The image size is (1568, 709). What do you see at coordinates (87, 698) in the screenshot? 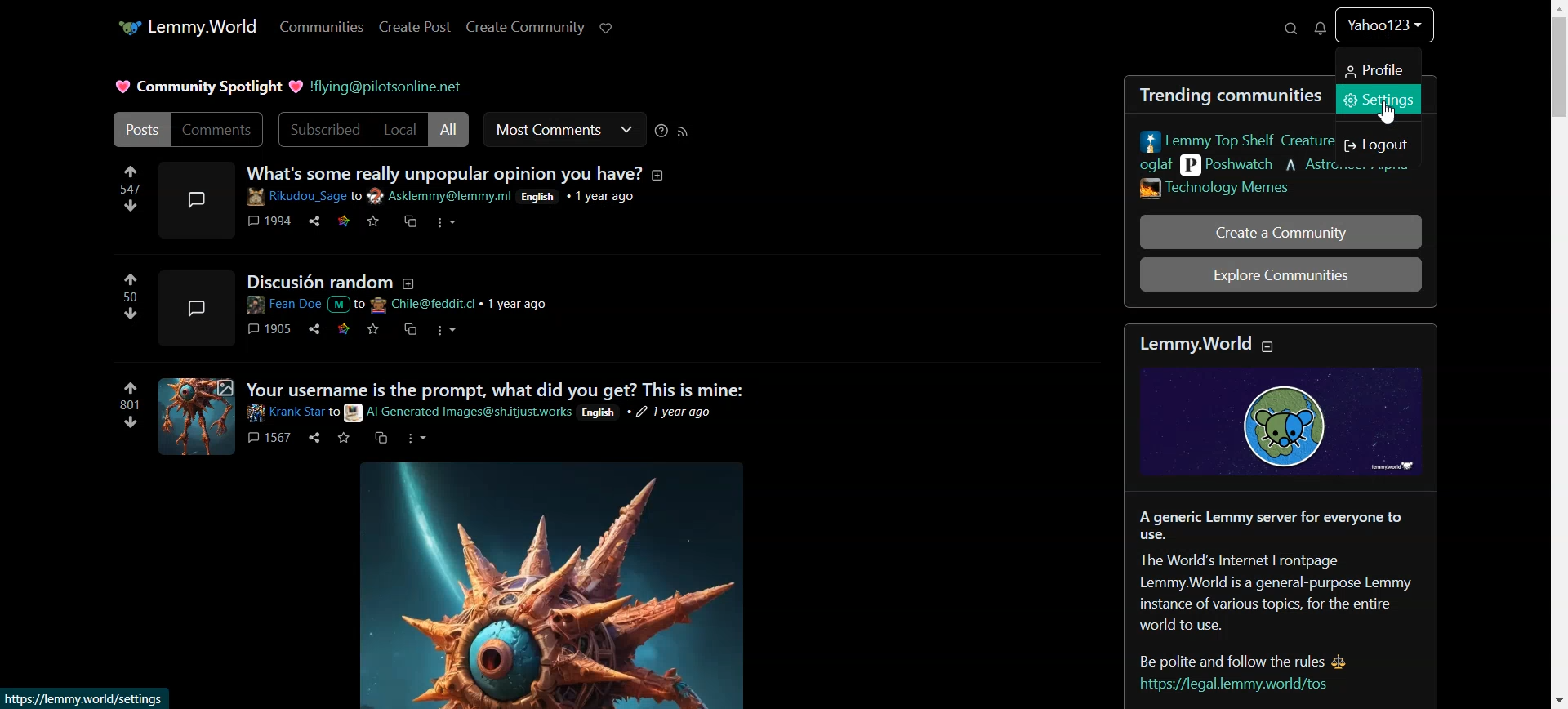
I see `` at bounding box center [87, 698].